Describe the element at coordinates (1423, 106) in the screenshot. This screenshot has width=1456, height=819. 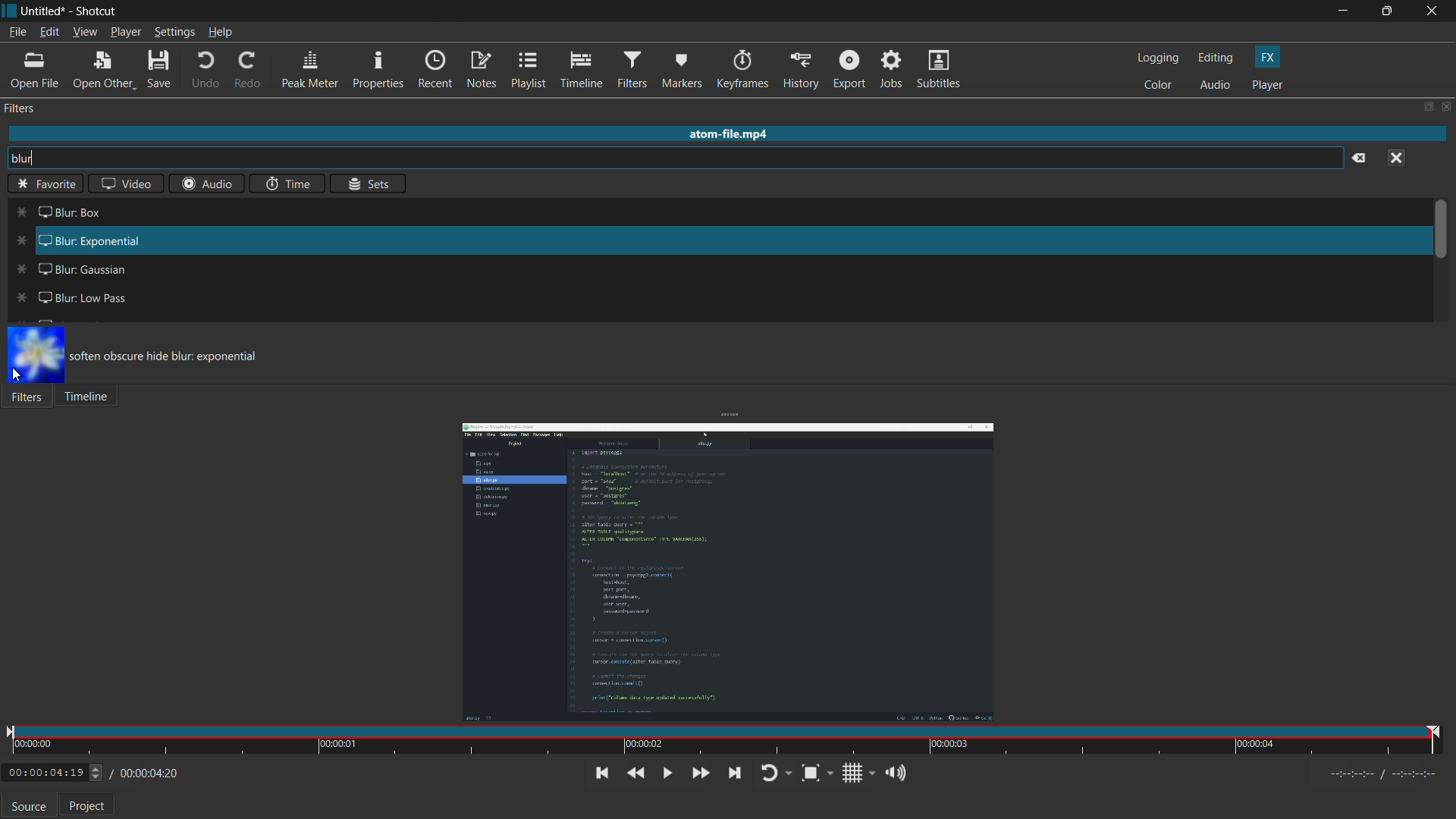
I see `change layout` at that location.